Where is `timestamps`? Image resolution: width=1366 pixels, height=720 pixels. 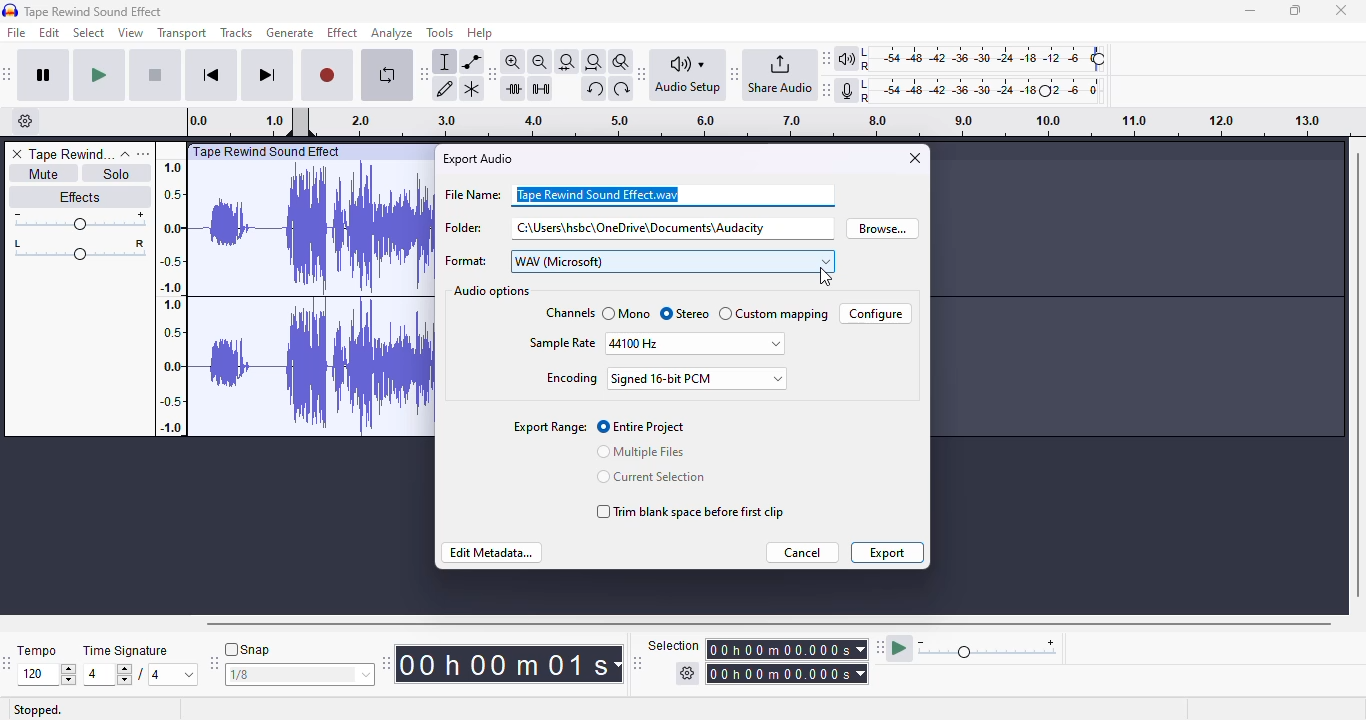
timestamps is located at coordinates (170, 296).